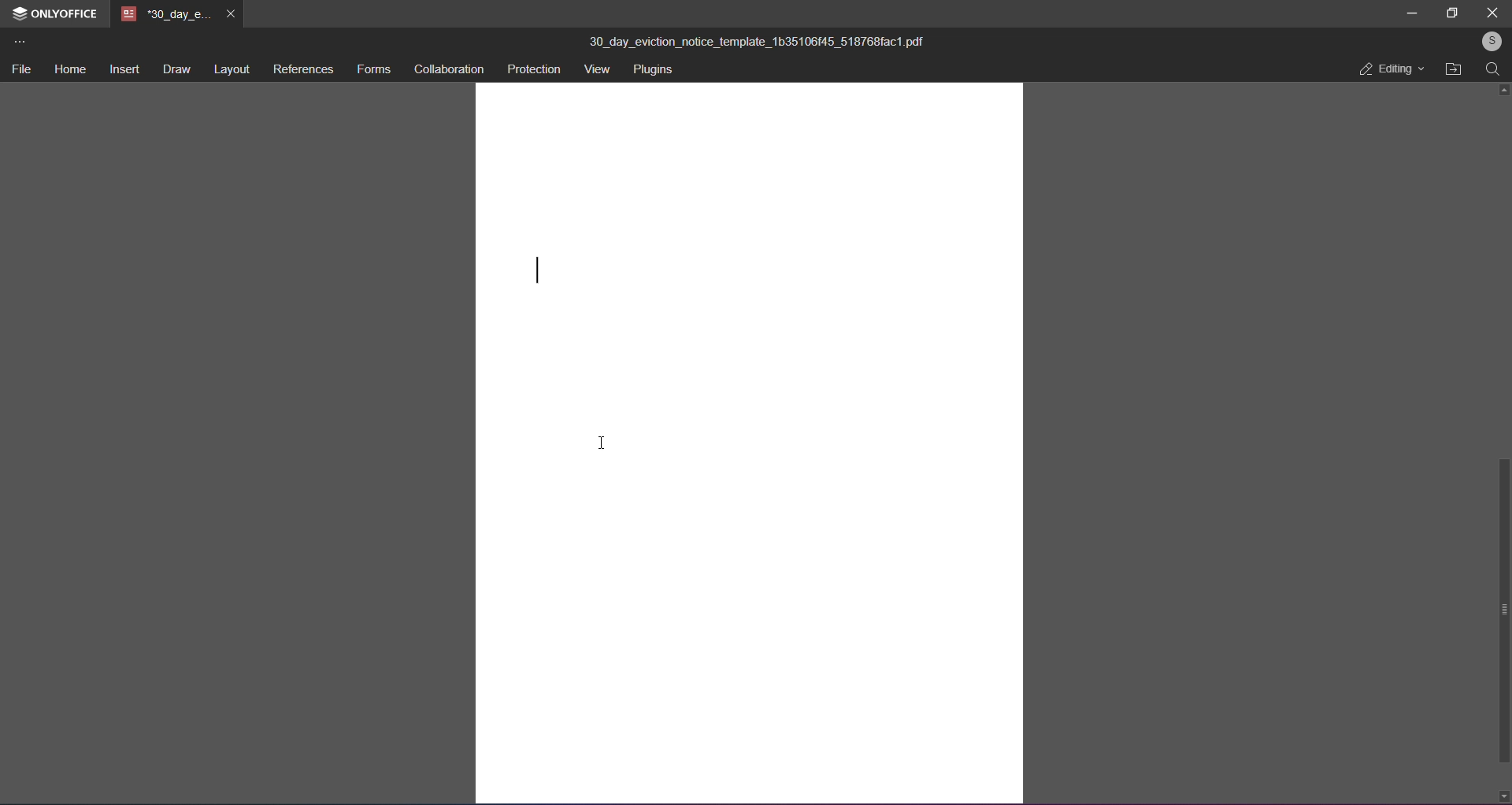  What do you see at coordinates (302, 71) in the screenshot?
I see `references` at bounding box center [302, 71].